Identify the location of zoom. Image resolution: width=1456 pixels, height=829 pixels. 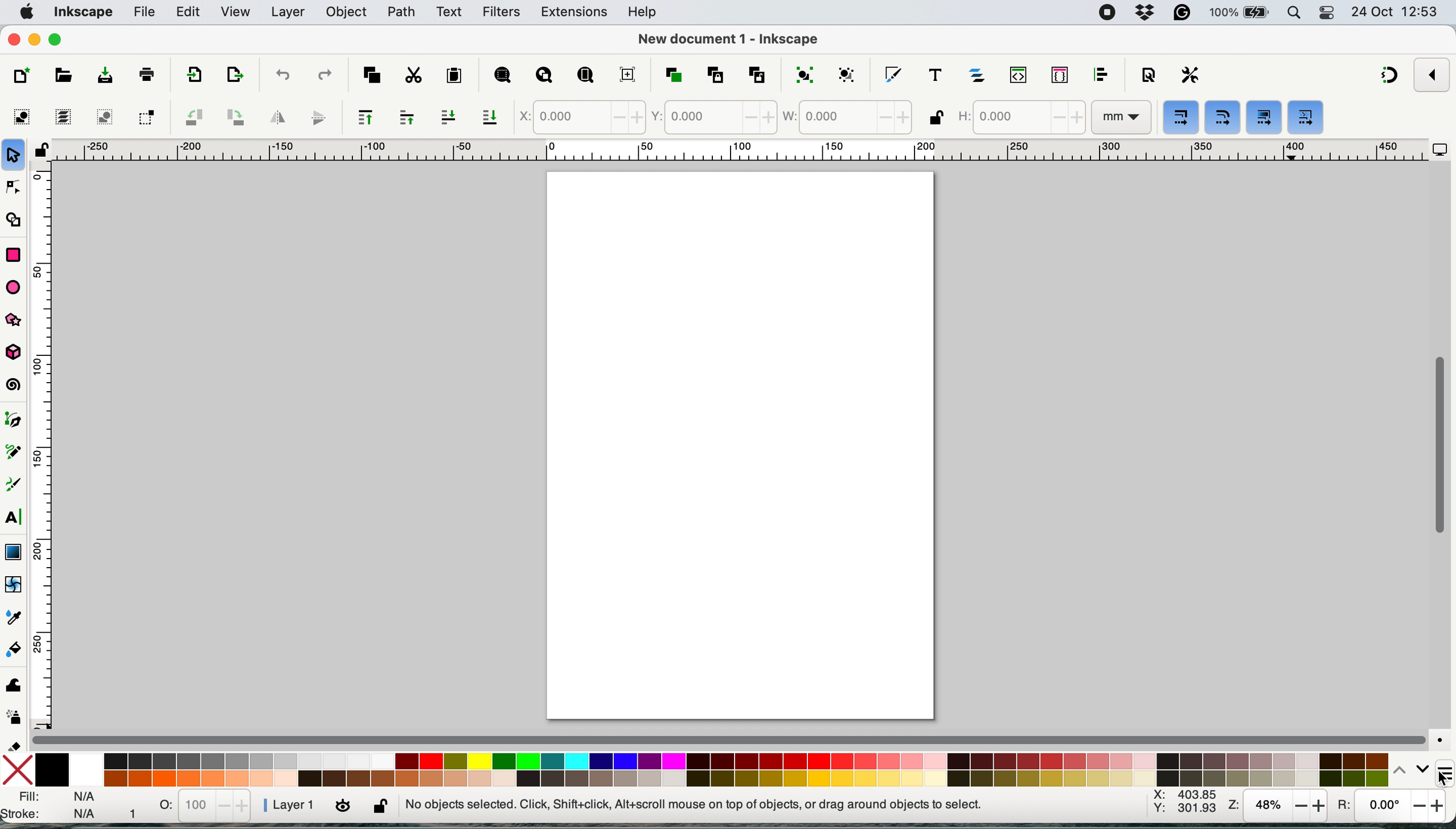
(1279, 805).